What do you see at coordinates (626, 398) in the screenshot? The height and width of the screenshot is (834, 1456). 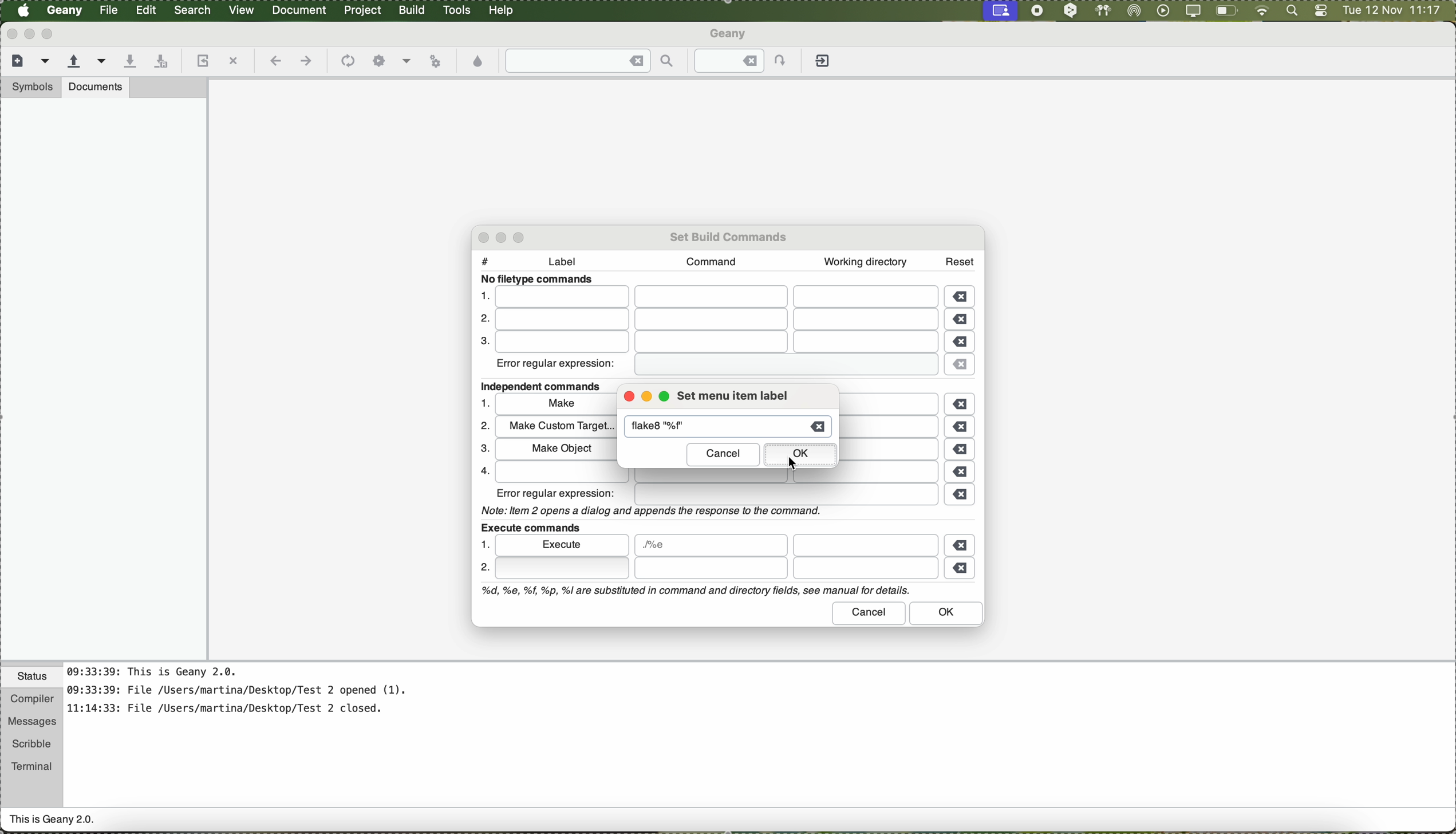 I see `close pop-up` at bounding box center [626, 398].